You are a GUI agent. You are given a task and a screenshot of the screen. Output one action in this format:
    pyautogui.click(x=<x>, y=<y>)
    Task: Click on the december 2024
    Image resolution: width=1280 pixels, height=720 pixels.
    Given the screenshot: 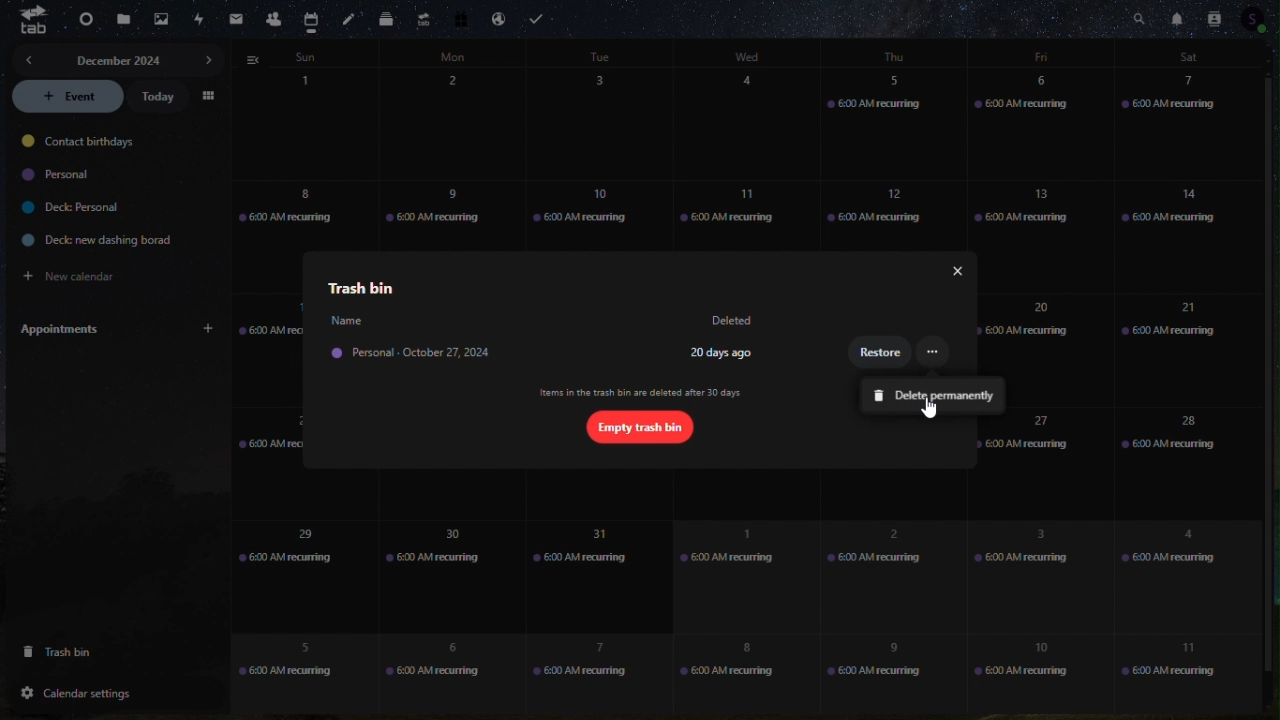 What is the action you would take?
    pyautogui.click(x=119, y=58)
    